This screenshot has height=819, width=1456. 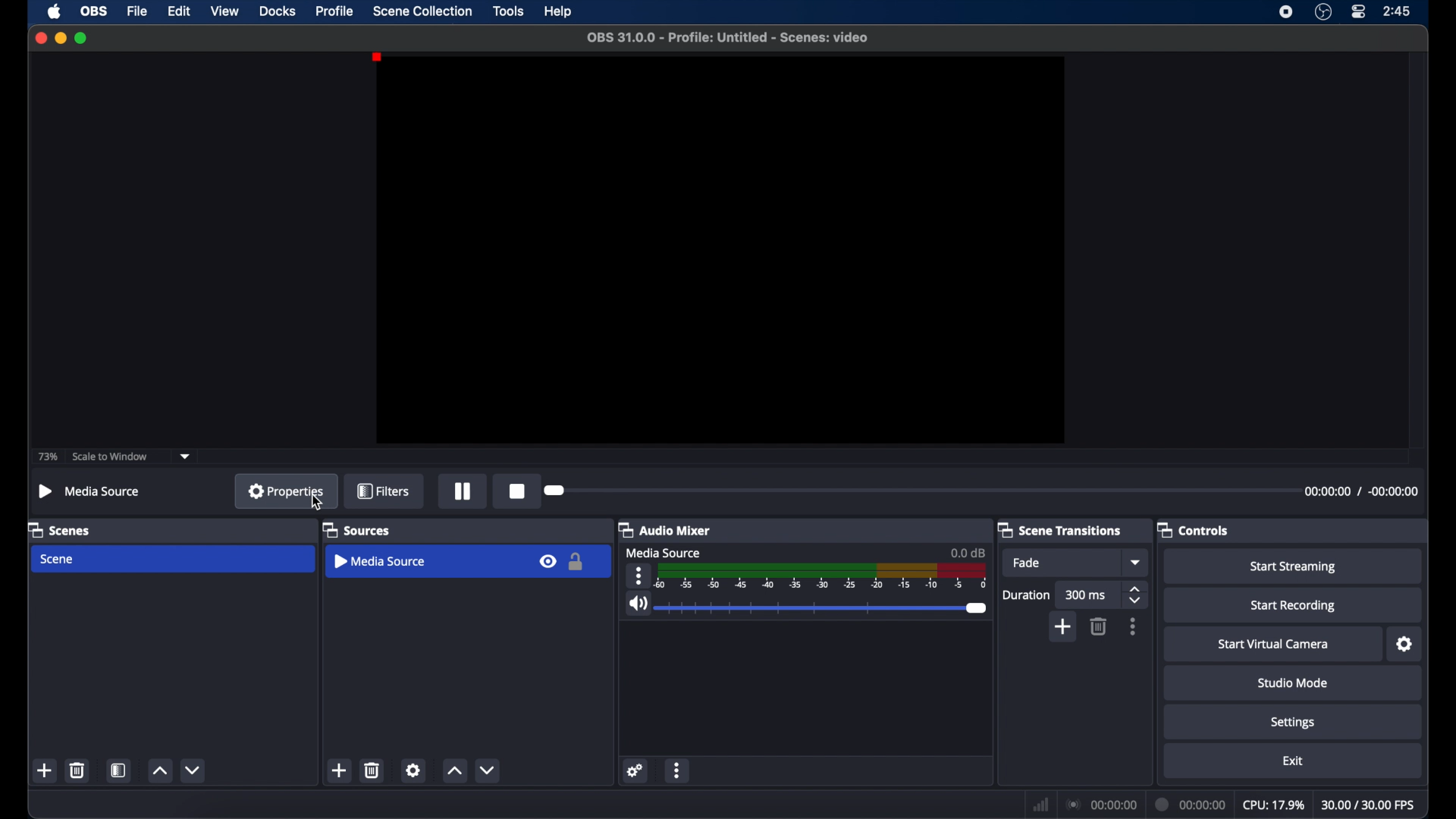 What do you see at coordinates (82, 39) in the screenshot?
I see `maximize` at bounding box center [82, 39].